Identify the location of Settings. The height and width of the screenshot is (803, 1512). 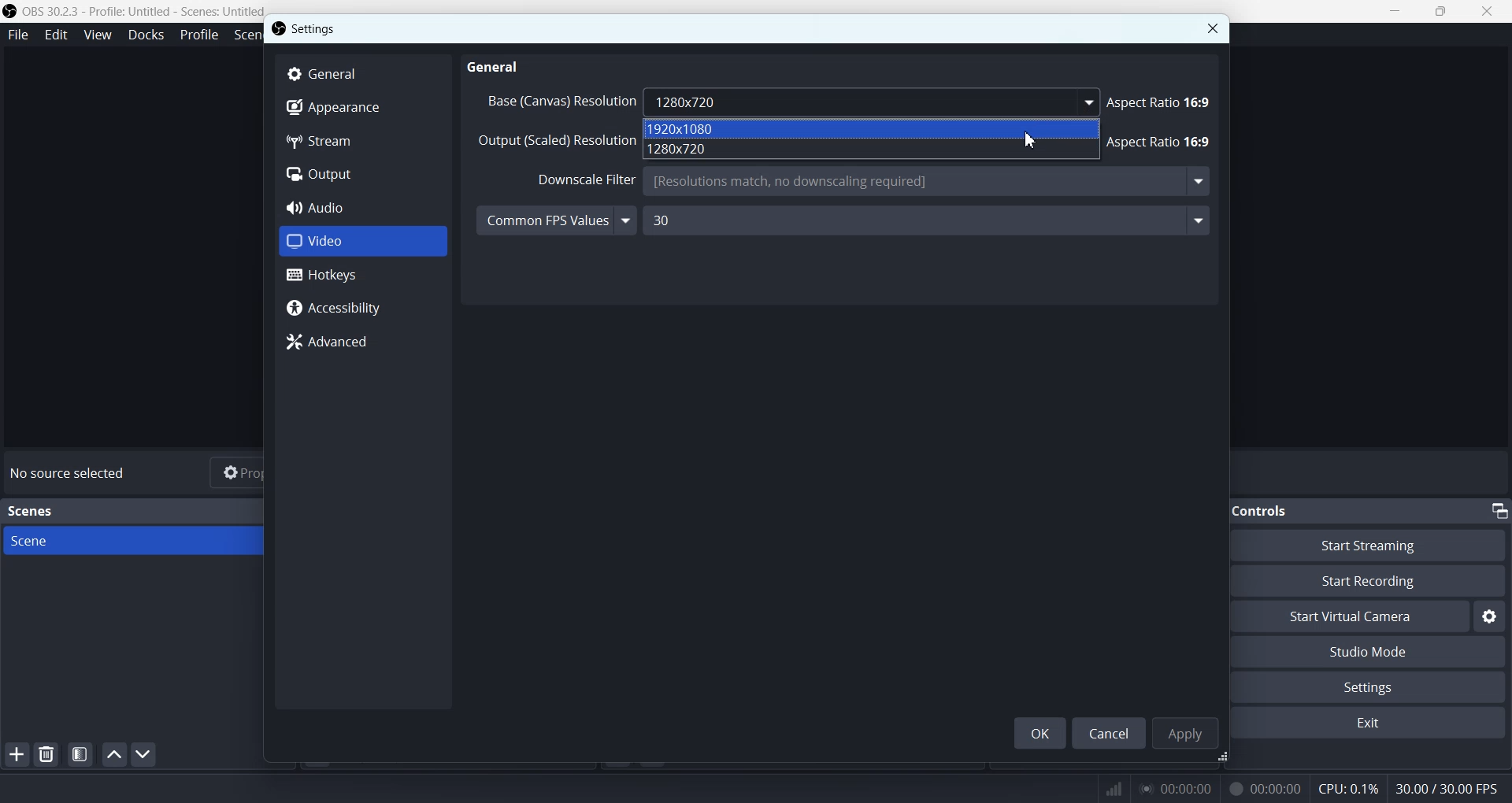
(317, 28).